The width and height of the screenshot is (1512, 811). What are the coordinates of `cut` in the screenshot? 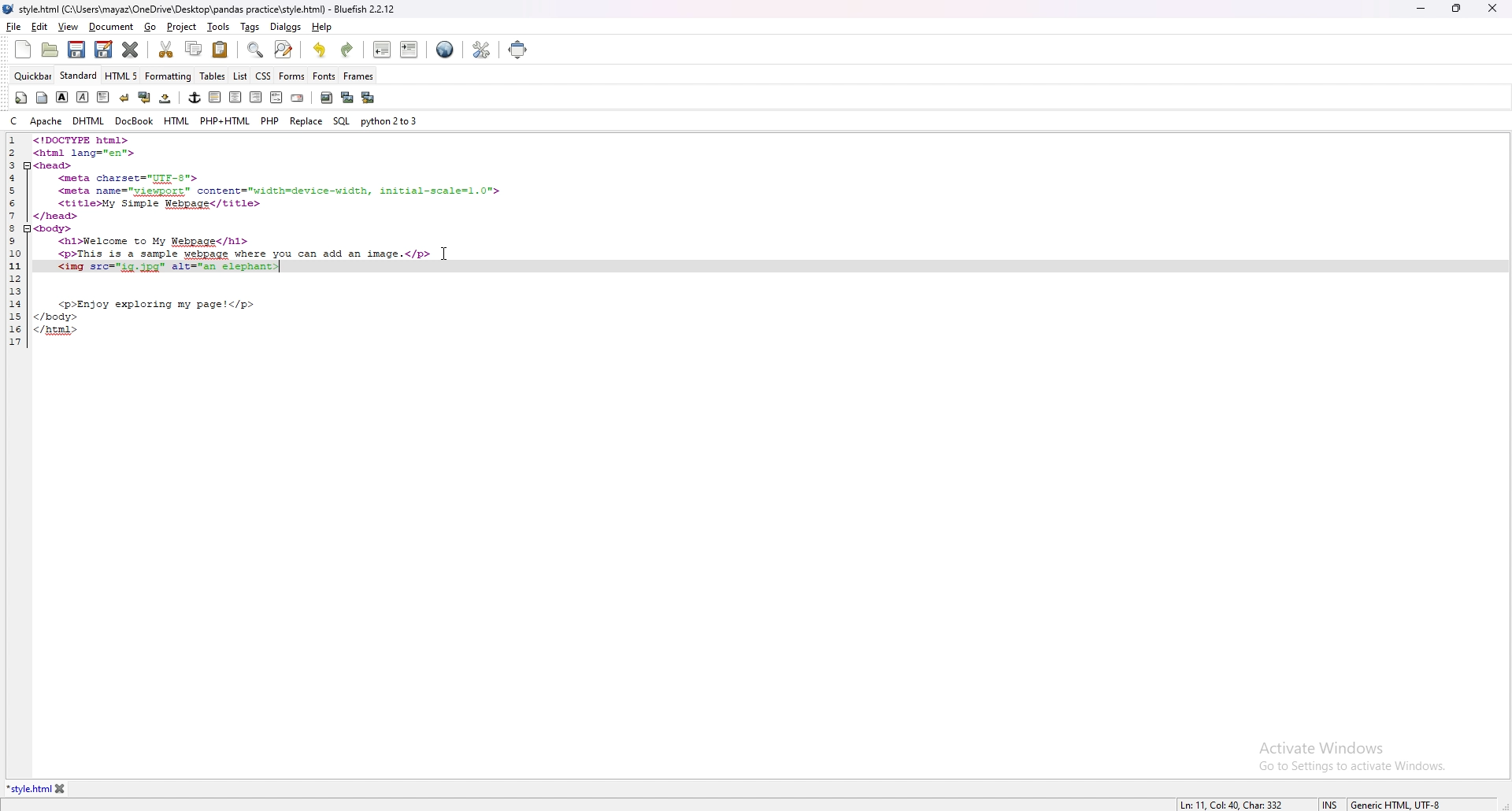 It's located at (165, 50).